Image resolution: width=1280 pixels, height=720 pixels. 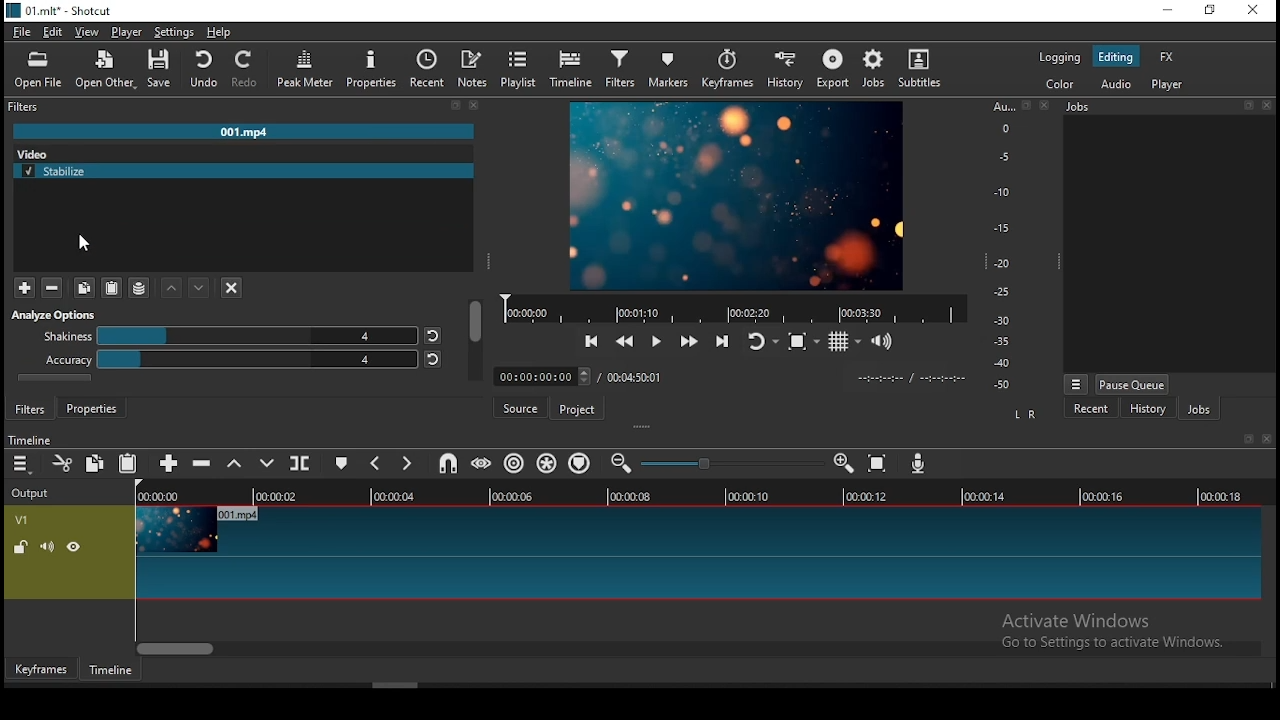 What do you see at coordinates (83, 244) in the screenshot?
I see `mouse pointer` at bounding box center [83, 244].